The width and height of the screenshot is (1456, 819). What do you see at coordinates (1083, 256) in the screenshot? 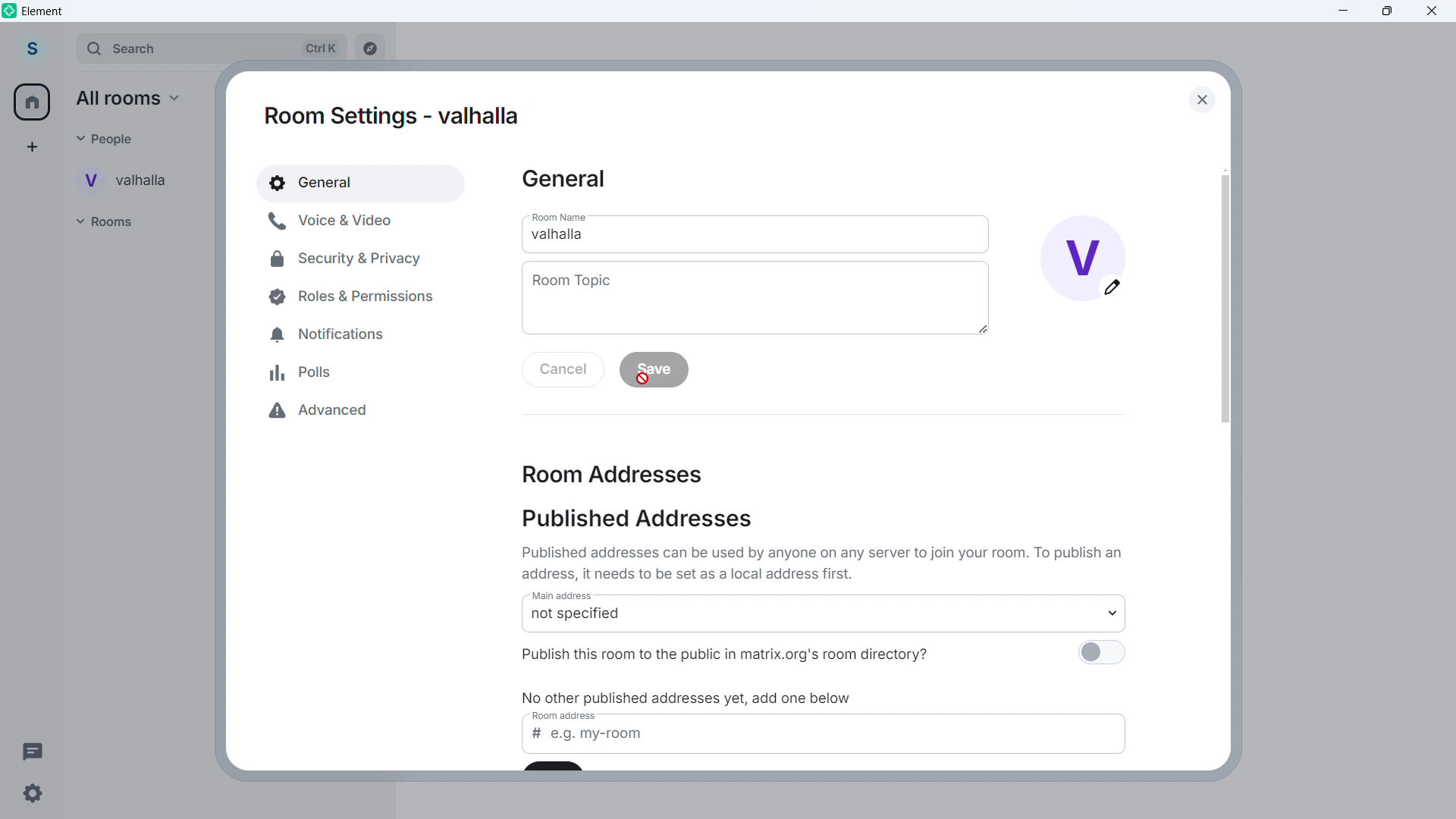
I see `name changed and account image change` at bounding box center [1083, 256].